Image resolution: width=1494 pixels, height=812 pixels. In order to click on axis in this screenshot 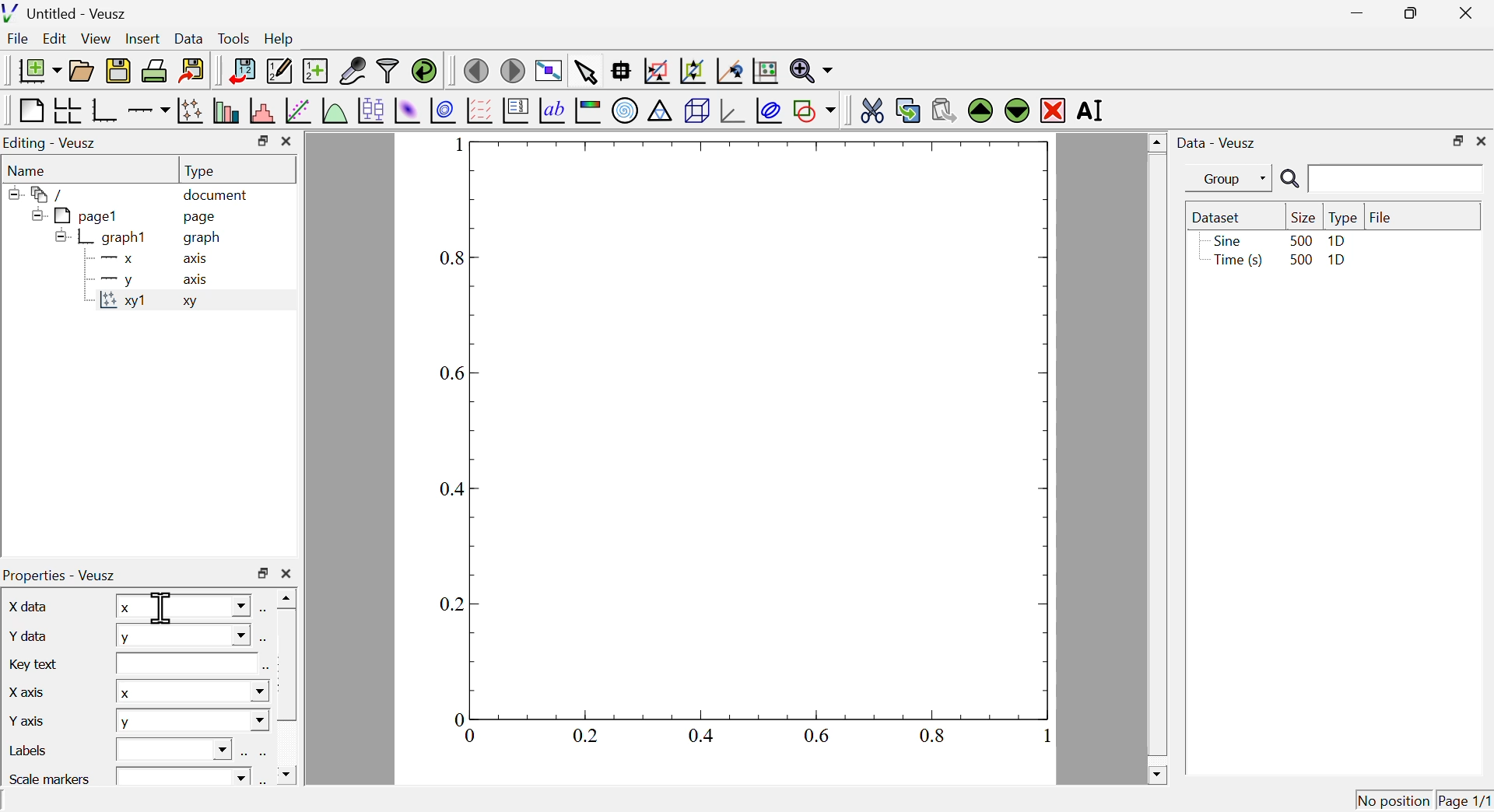, I will do `click(198, 280)`.